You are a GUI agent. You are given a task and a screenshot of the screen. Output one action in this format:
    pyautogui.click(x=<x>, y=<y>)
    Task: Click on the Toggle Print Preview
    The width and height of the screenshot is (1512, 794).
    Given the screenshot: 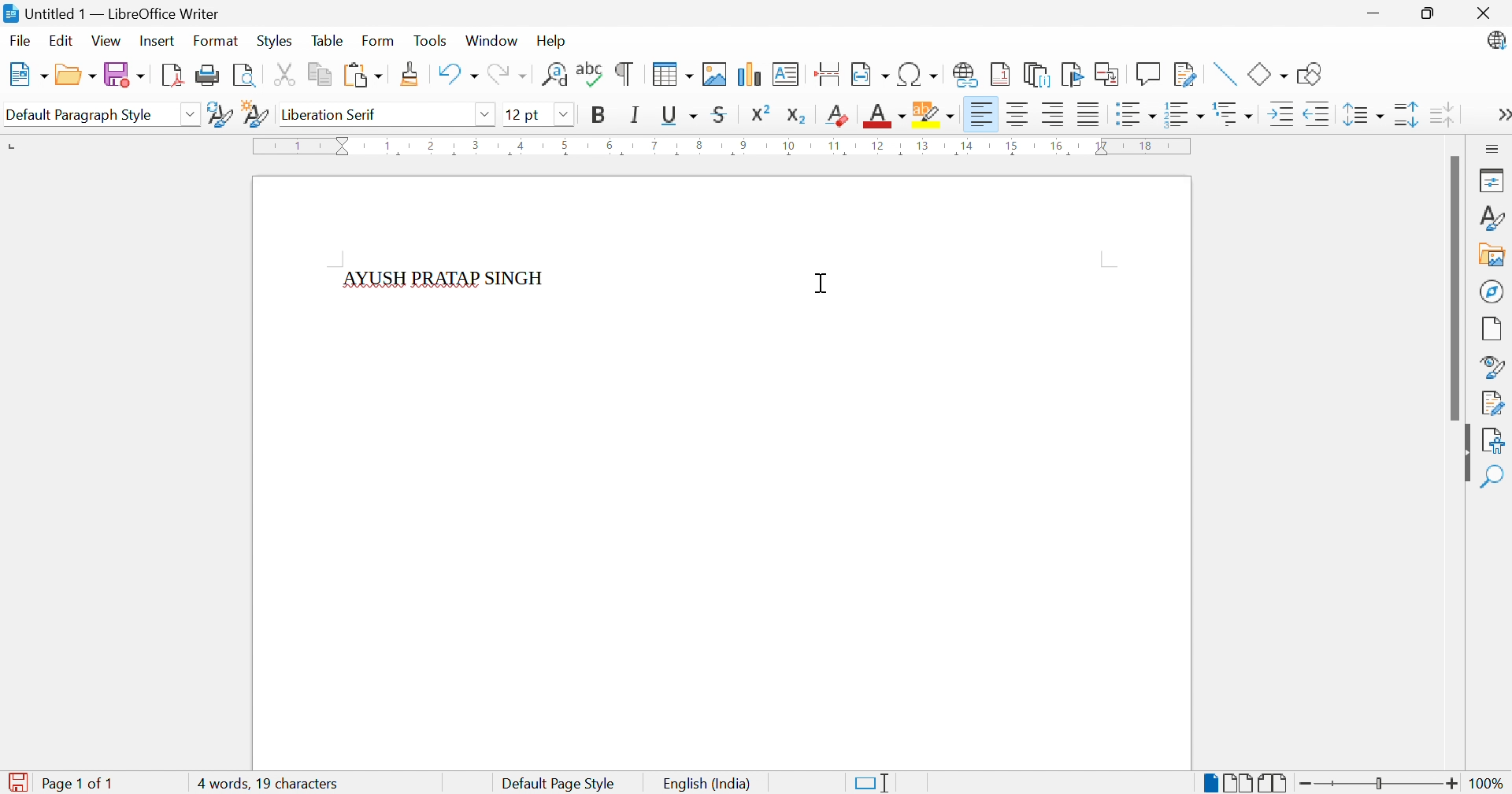 What is the action you would take?
    pyautogui.click(x=245, y=76)
    